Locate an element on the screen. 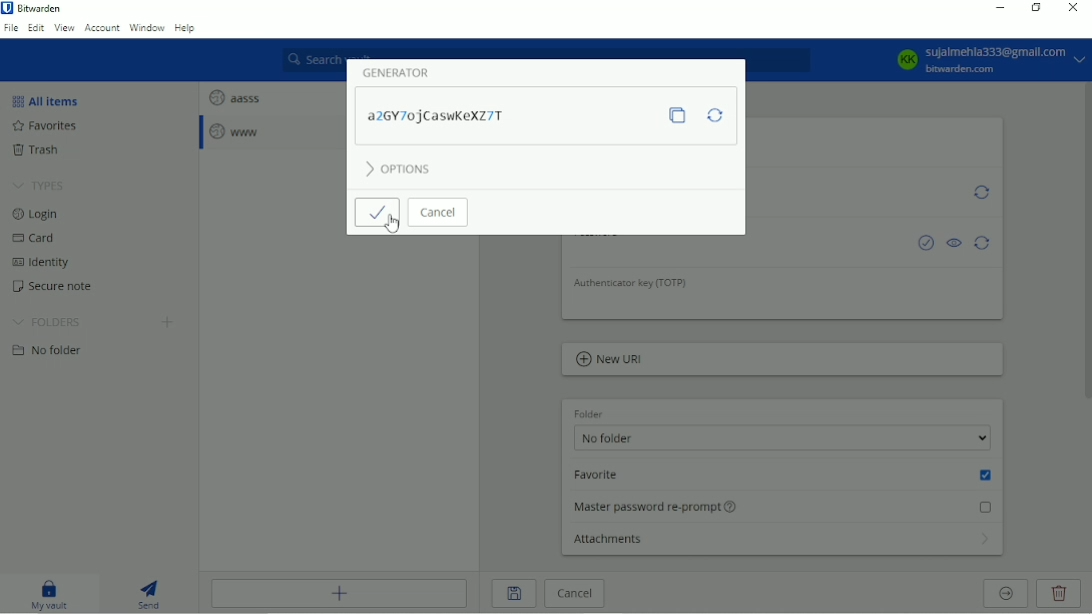 The image size is (1092, 614). No folder is located at coordinates (784, 439).